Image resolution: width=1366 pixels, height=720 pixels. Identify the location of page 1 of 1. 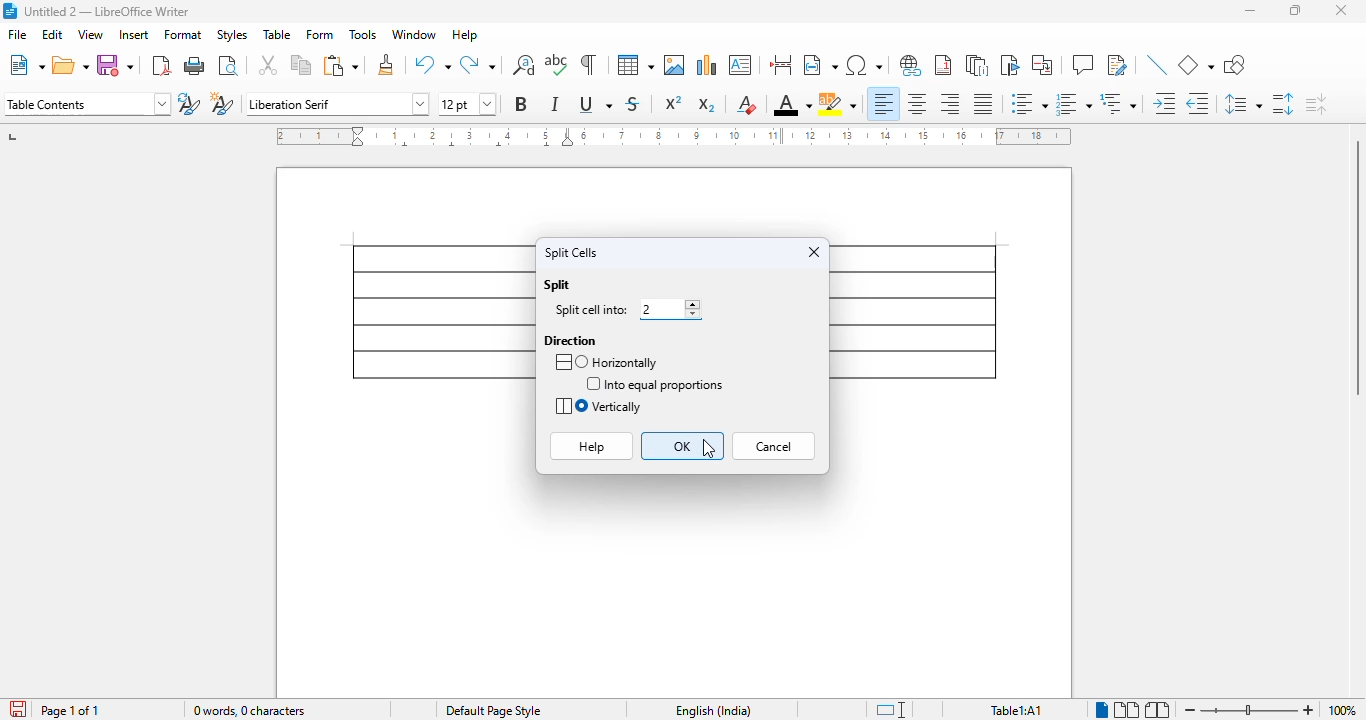
(70, 710).